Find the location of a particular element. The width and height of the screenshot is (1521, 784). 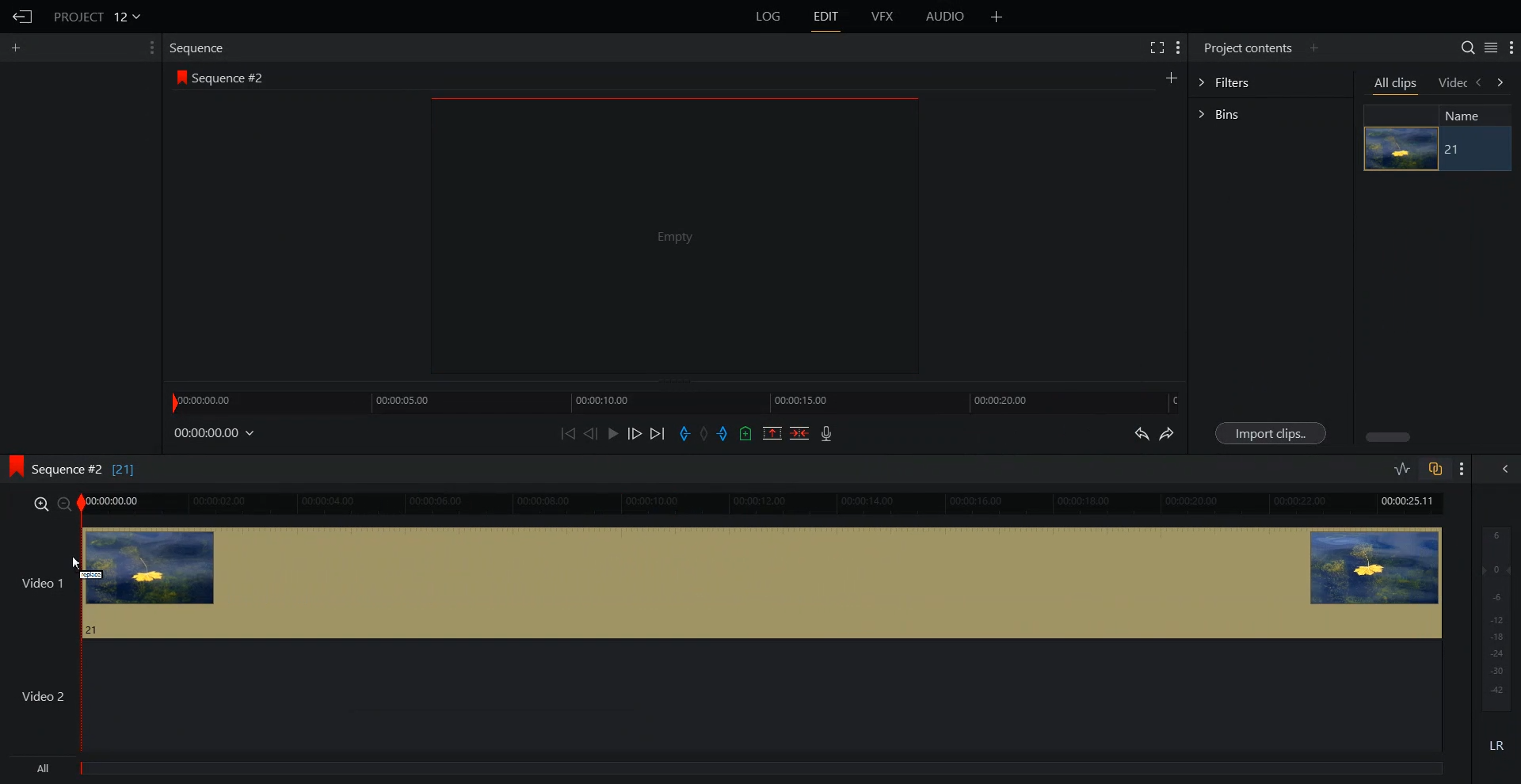

Show Setting Menu is located at coordinates (150, 48).